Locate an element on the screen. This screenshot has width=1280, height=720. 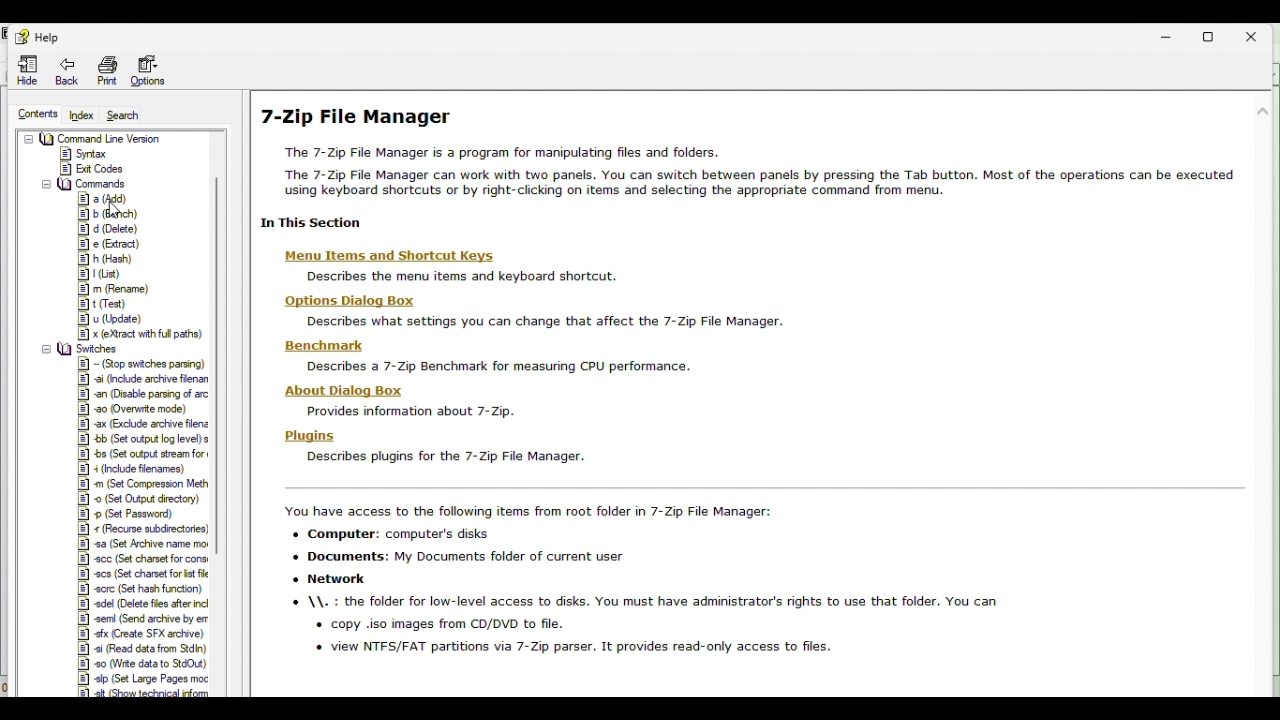
-ao is located at coordinates (144, 409).